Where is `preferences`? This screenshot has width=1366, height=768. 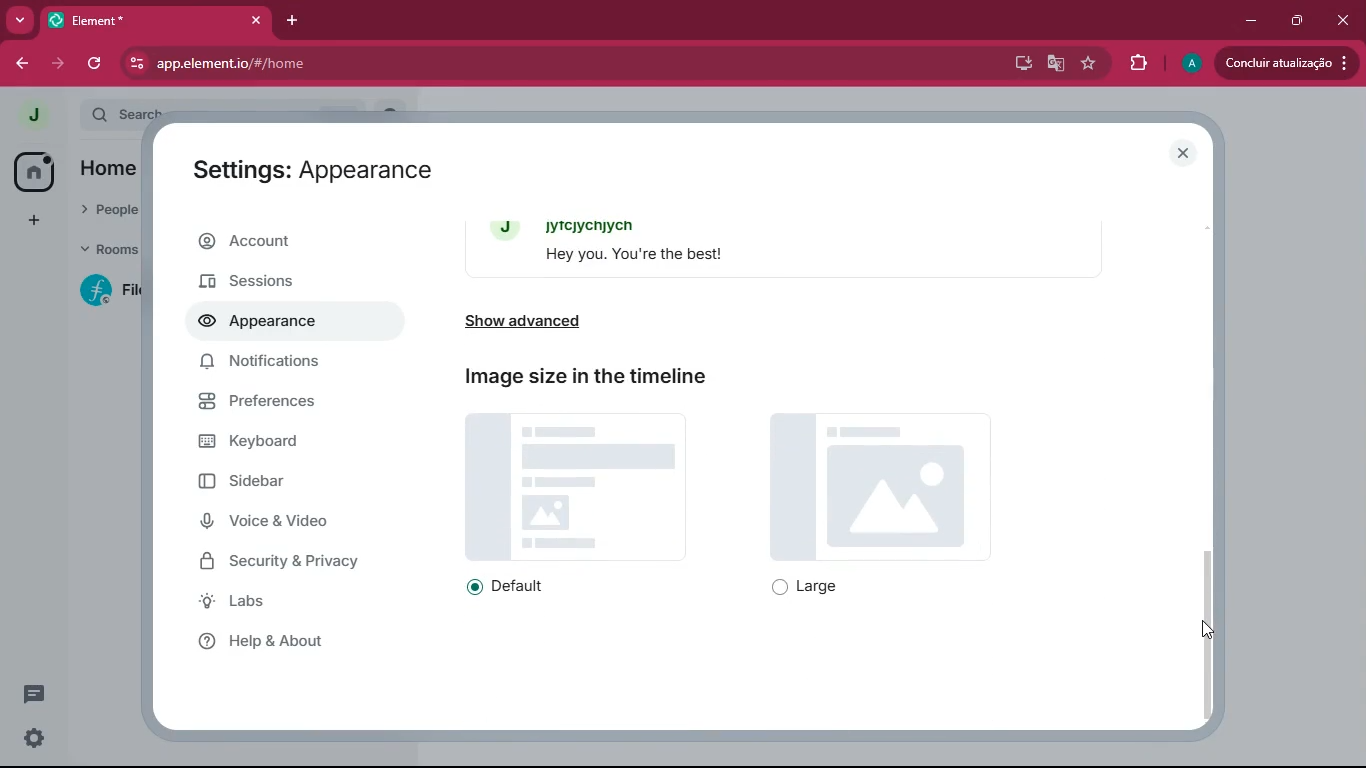
preferences is located at coordinates (279, 408).